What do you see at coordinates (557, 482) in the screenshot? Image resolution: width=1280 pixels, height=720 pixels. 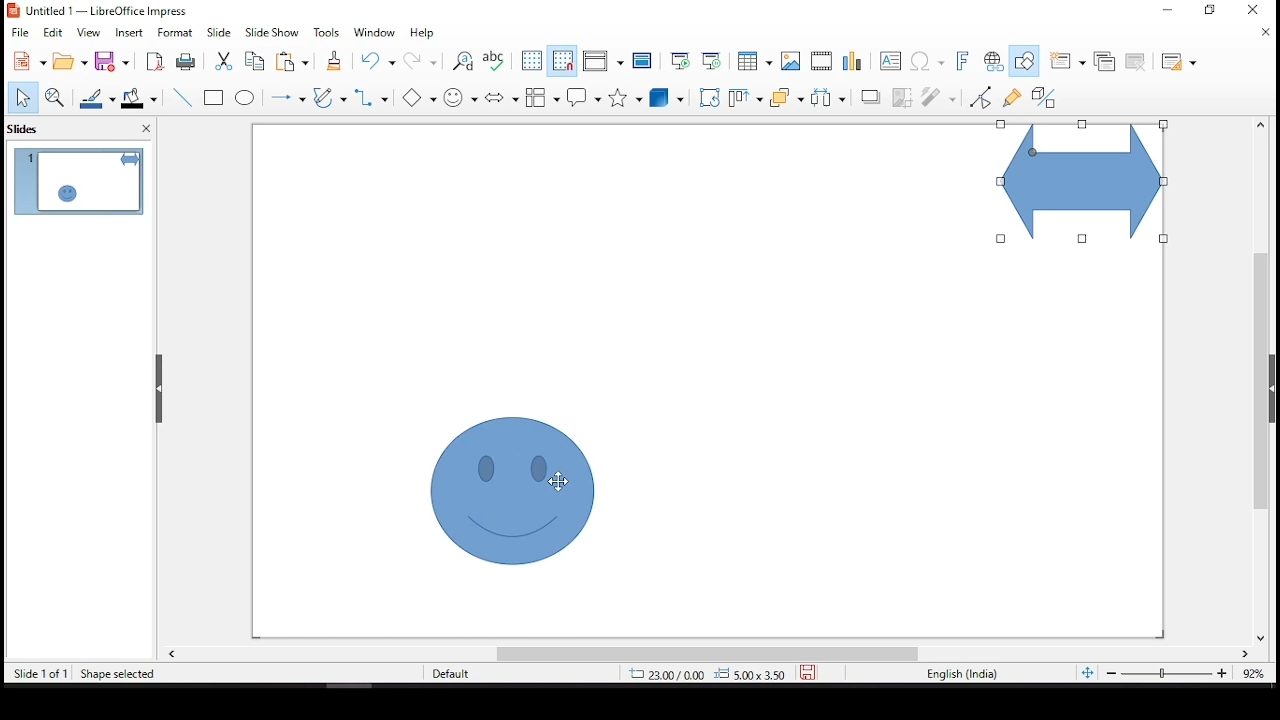 I see `mouse pointer` at bounding box center [557, 482].